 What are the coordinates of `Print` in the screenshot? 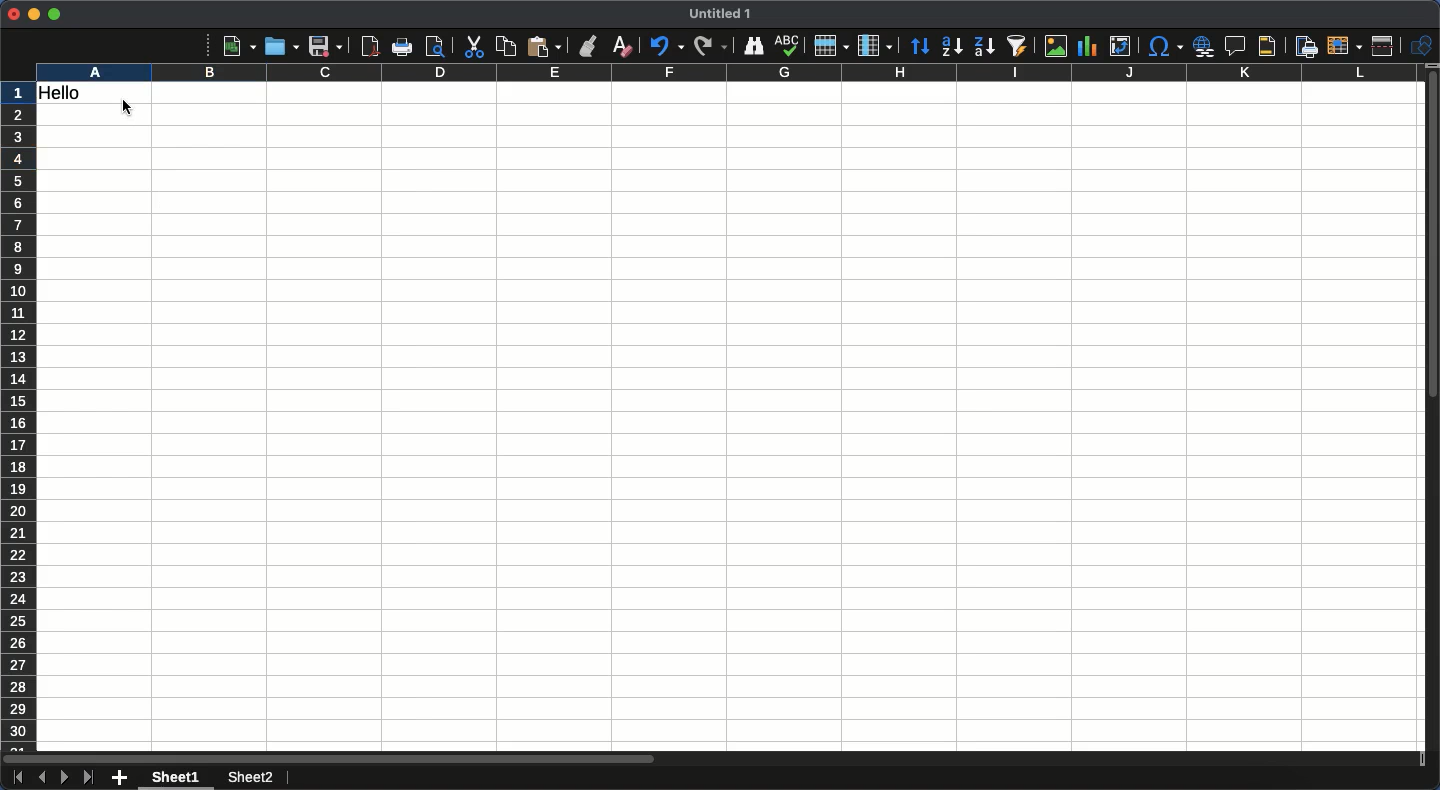 It's located at (404, 47).